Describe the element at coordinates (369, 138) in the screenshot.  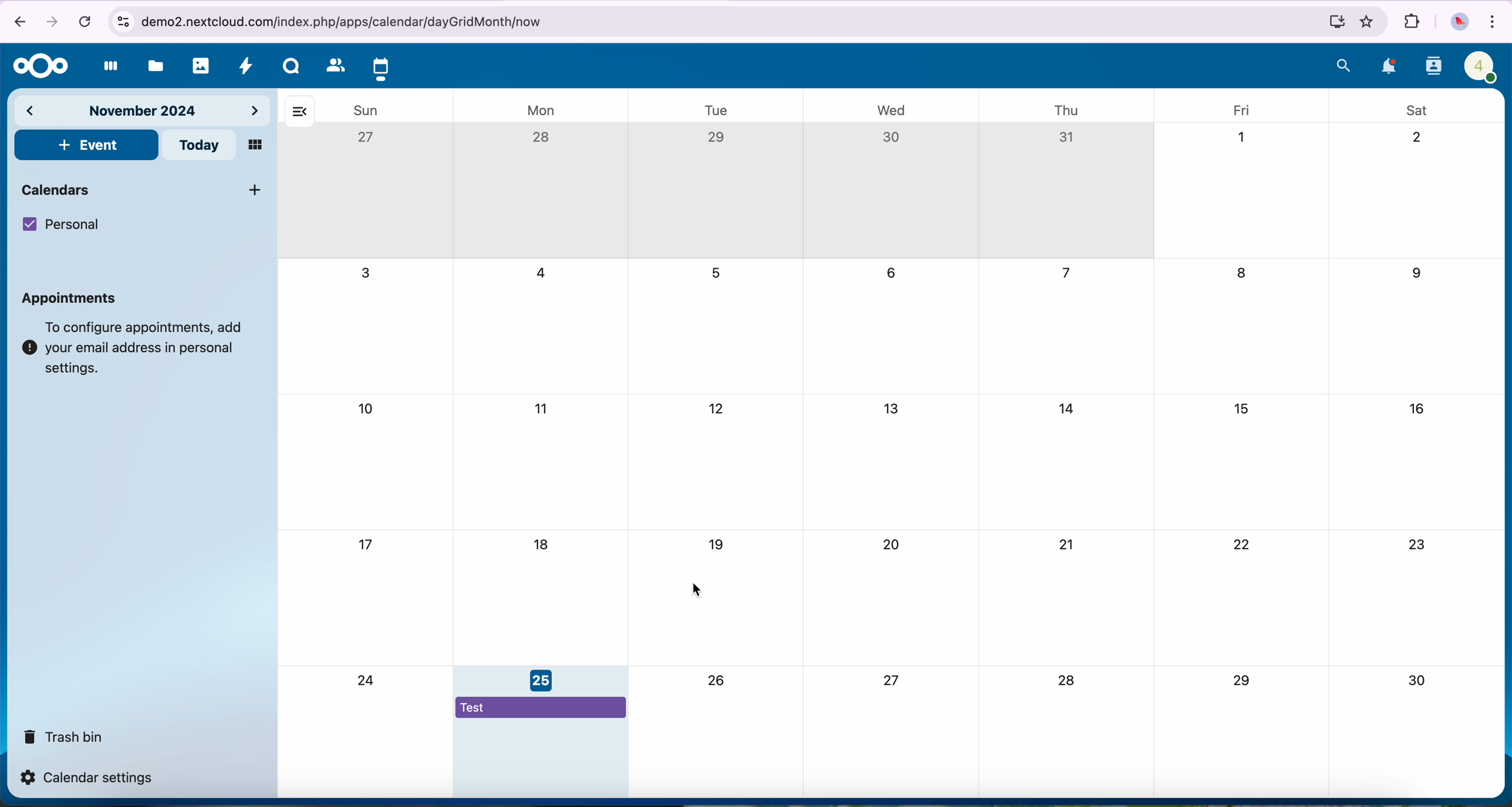
I see `27` at that location.